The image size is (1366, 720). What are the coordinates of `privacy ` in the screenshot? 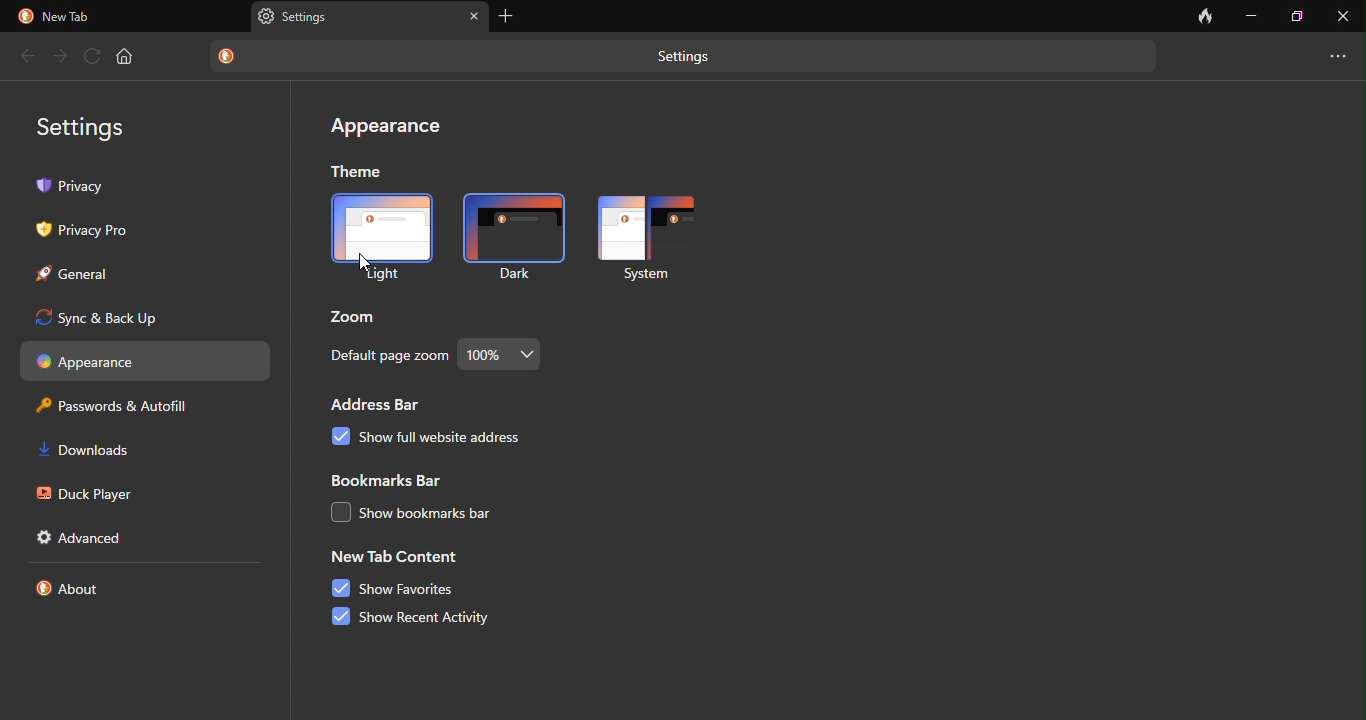 It's located at (150, 187).